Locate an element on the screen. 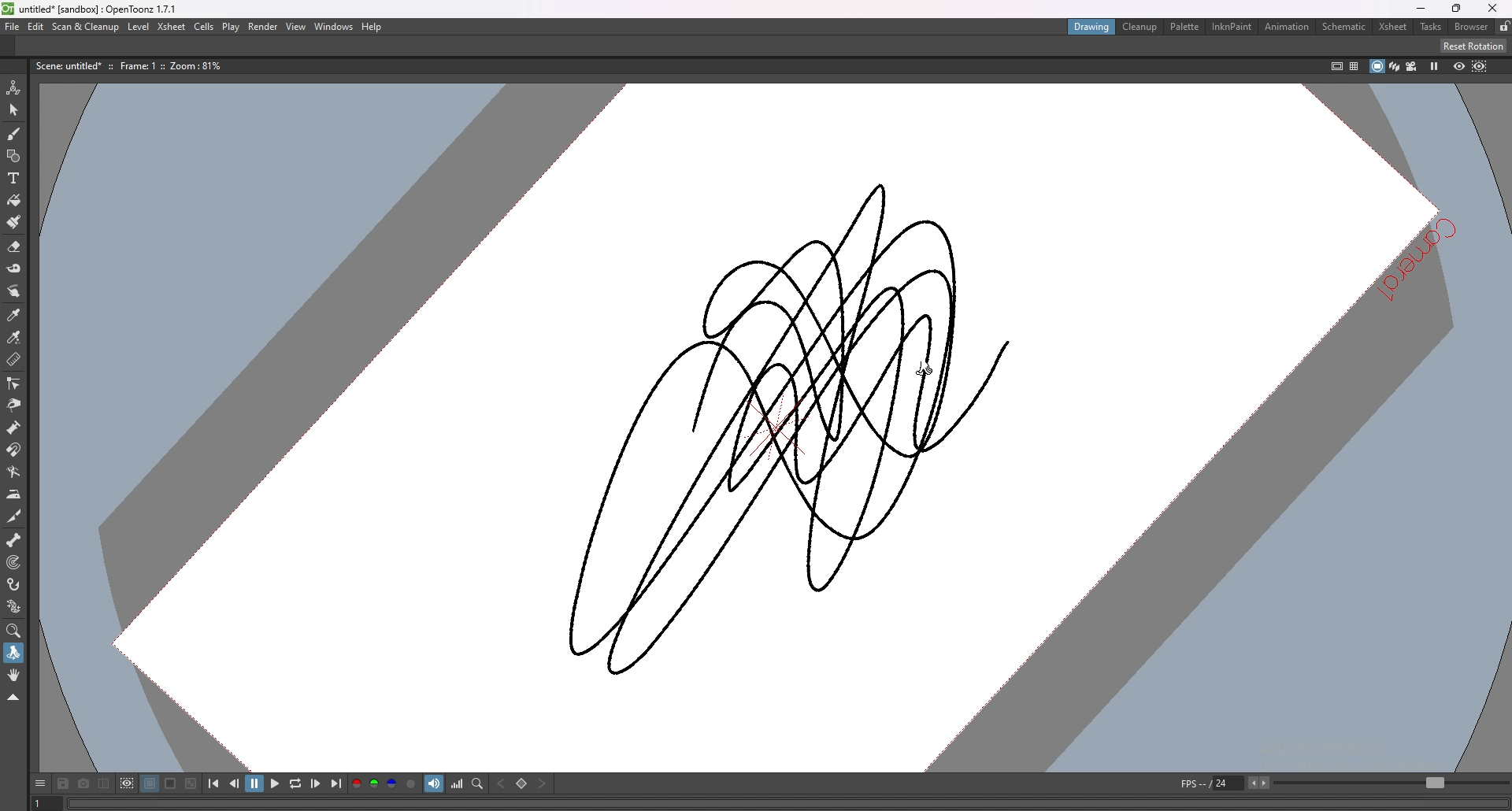 The image size is (1512, 811). rotate is located at coordinates (13, 654).